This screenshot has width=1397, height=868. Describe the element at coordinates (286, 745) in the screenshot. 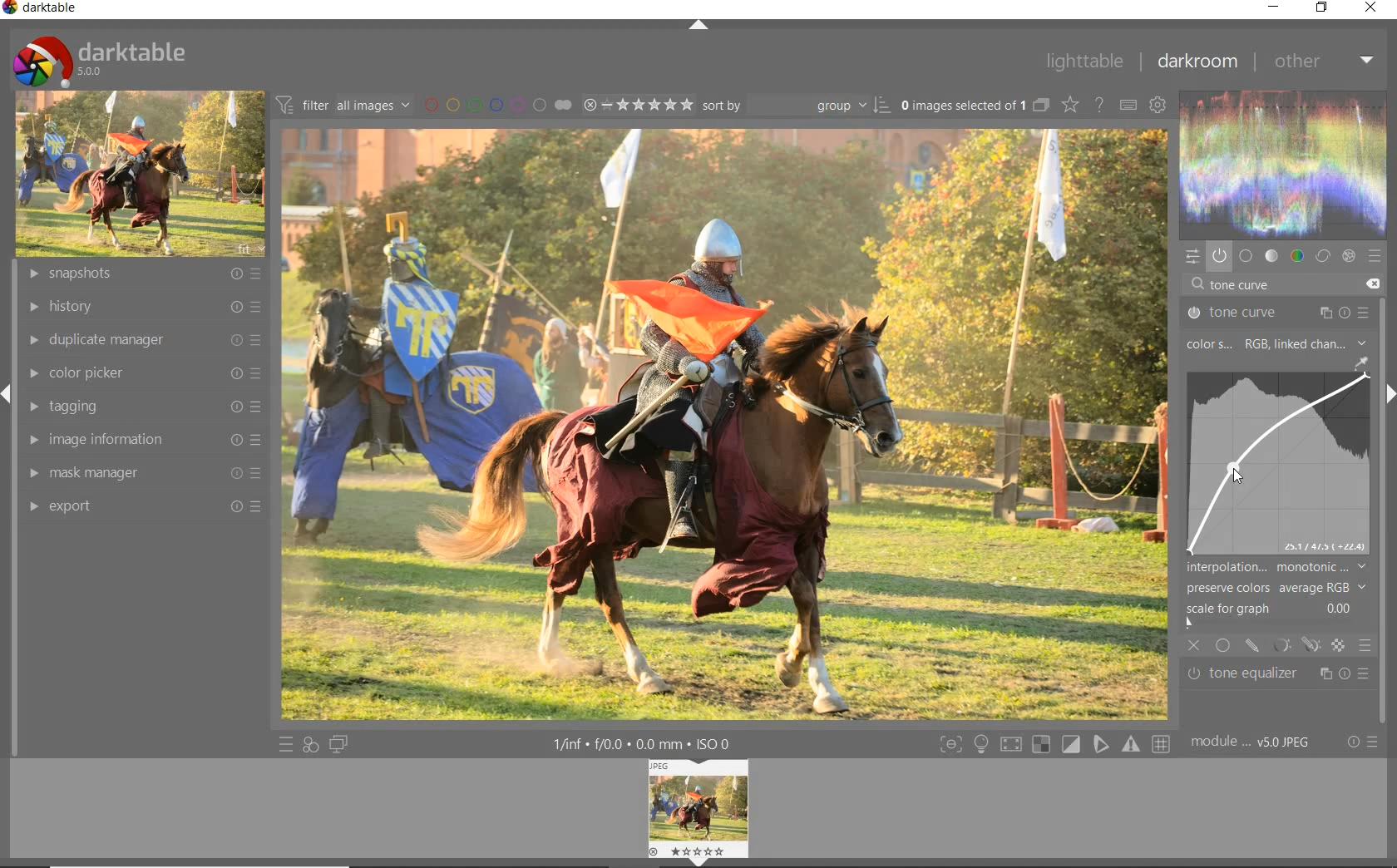

I see `quick access to presets` at that location.